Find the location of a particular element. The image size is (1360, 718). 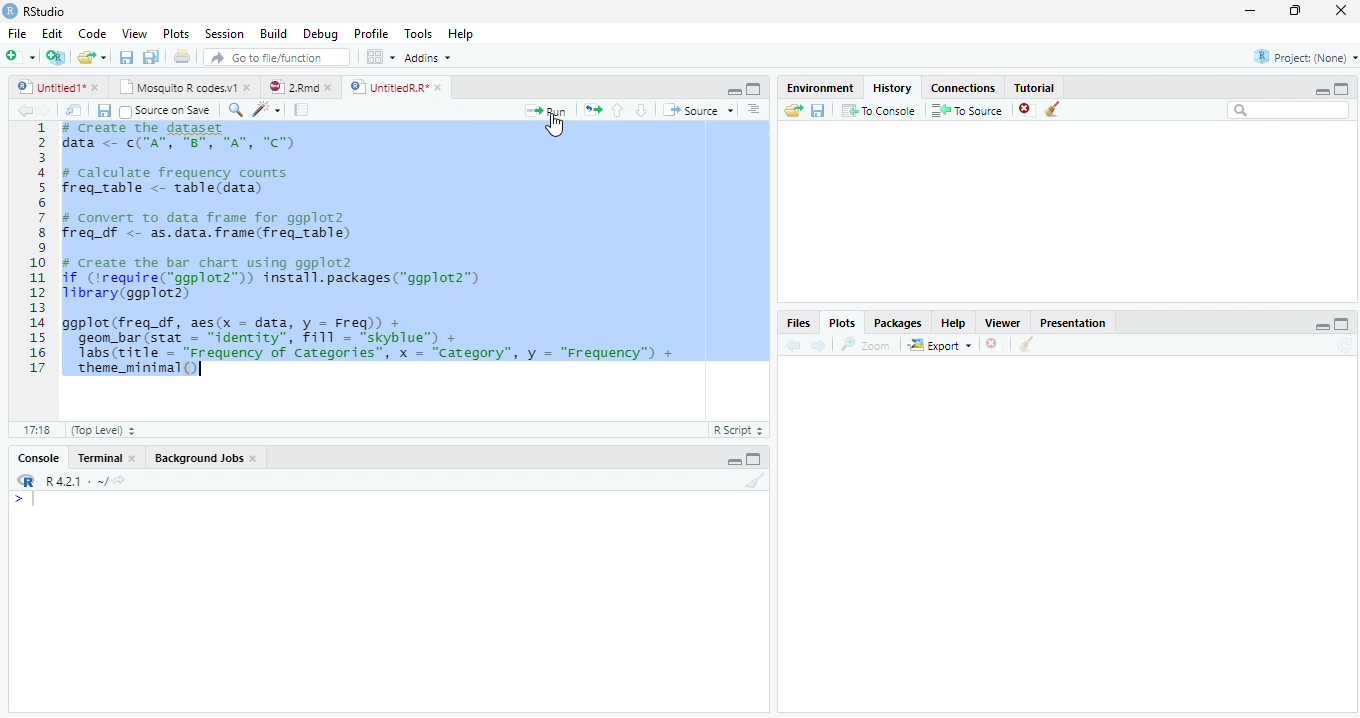

Mosquito R codes1 is located at coordinates (184, 90).